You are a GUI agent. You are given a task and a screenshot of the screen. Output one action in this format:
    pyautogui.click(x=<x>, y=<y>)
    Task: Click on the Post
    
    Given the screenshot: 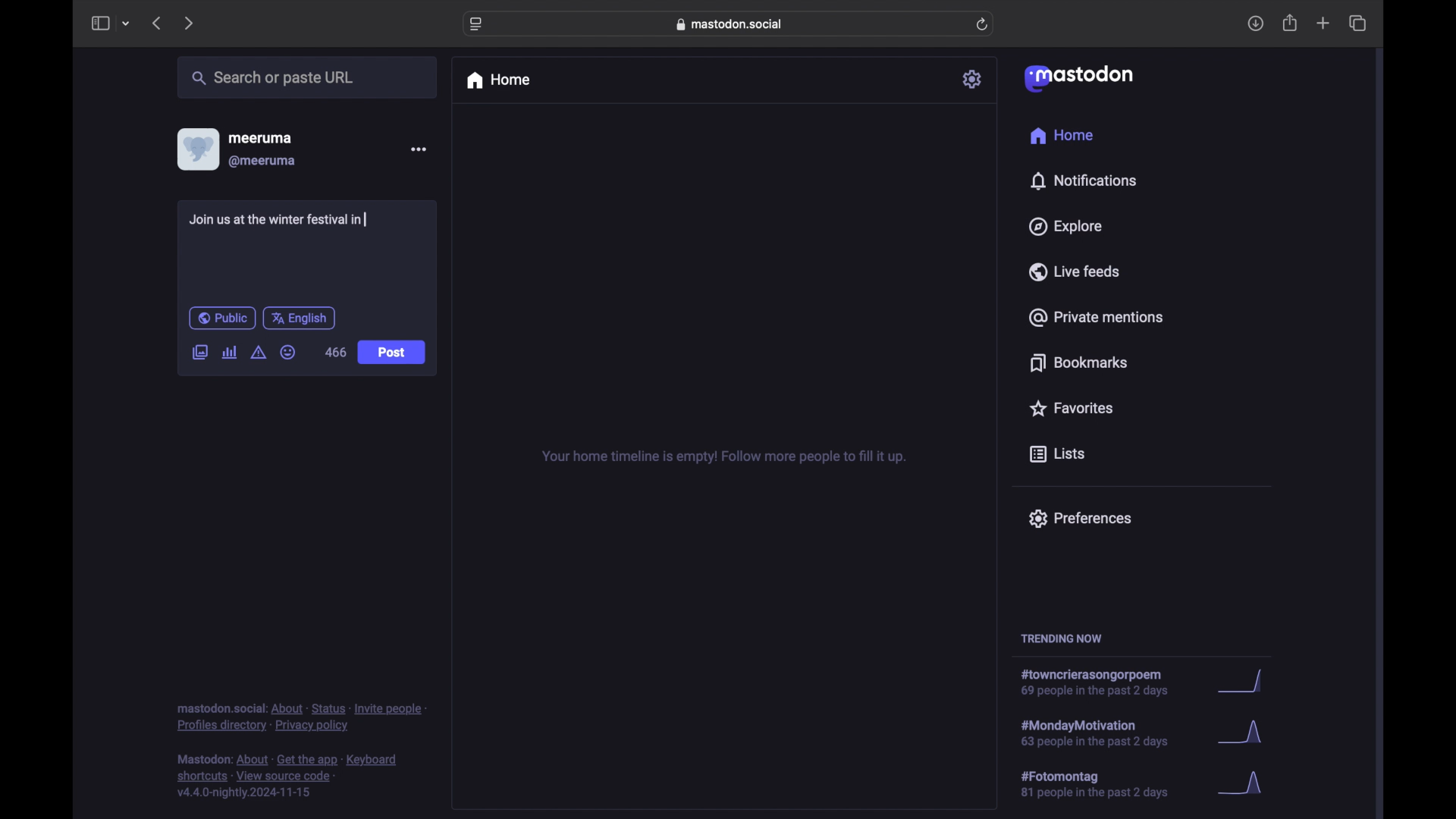 What is the action you would take?
    pyautogui.click(x=393, y=353)
    